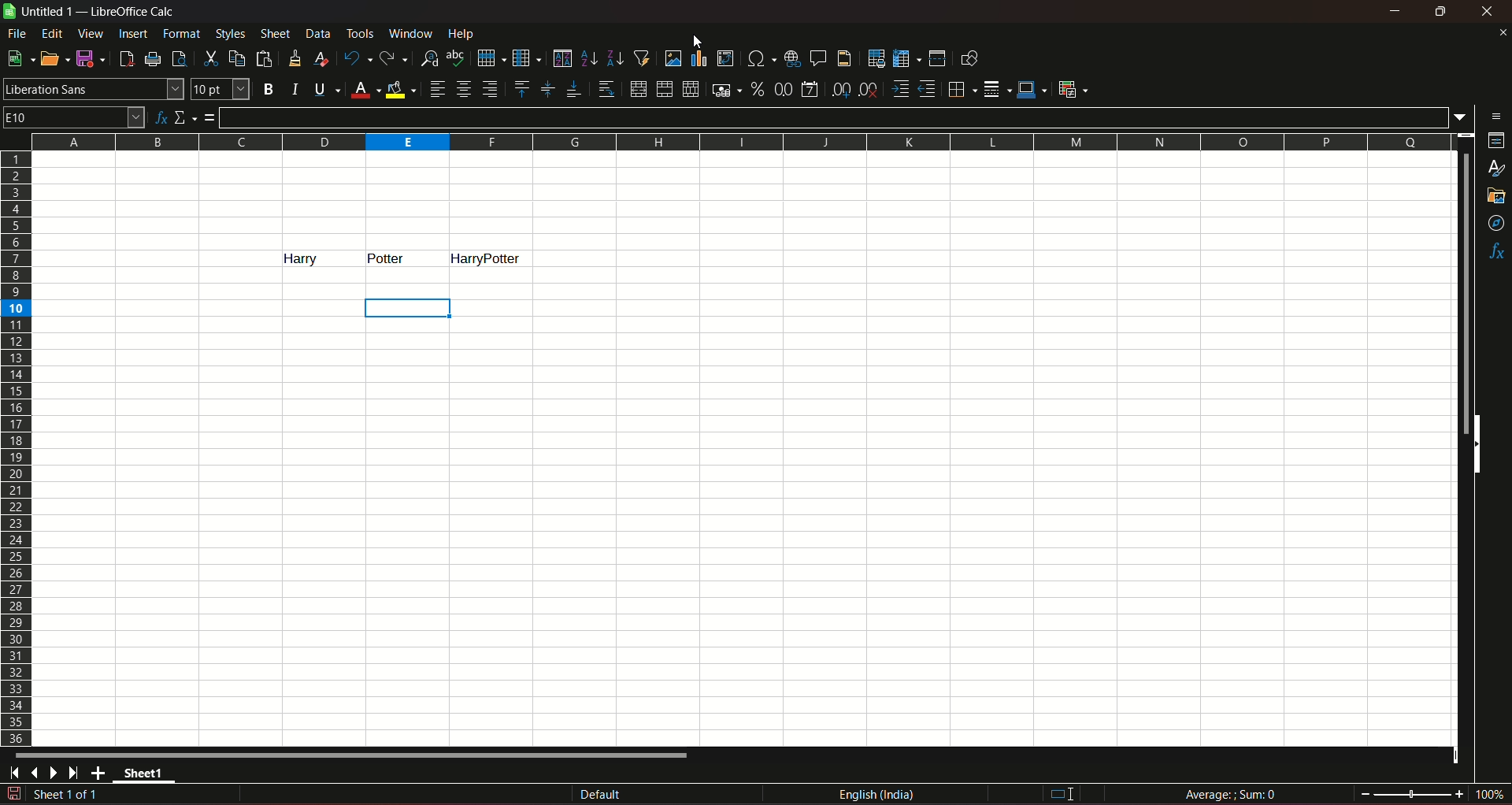  What do you see at coordinates (159, 118) in the screenshot?
I see `function wizard` at bounding box center [159, 118].